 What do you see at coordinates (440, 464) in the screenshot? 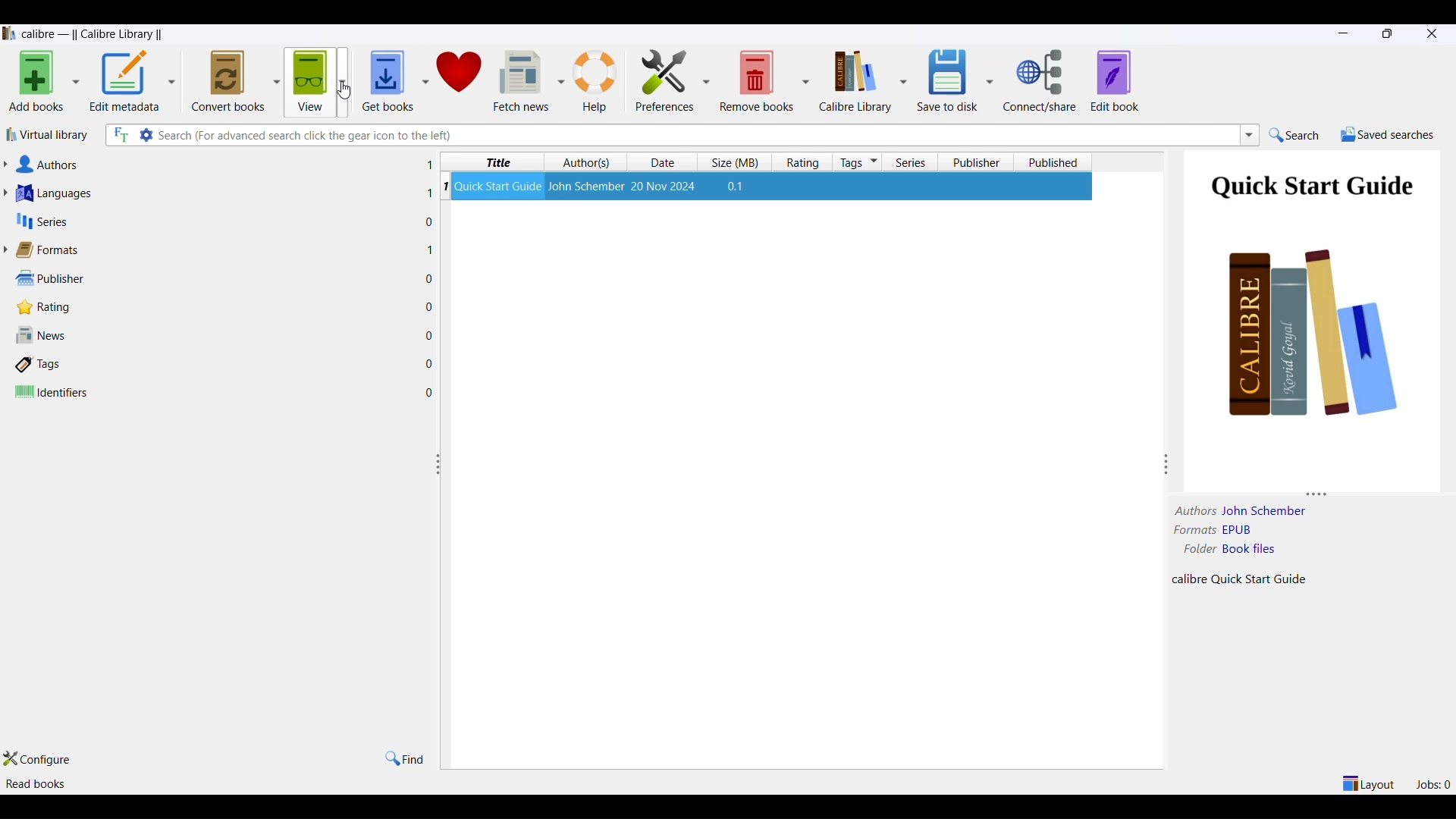
I see `resize` at bounding box center [440, 464].